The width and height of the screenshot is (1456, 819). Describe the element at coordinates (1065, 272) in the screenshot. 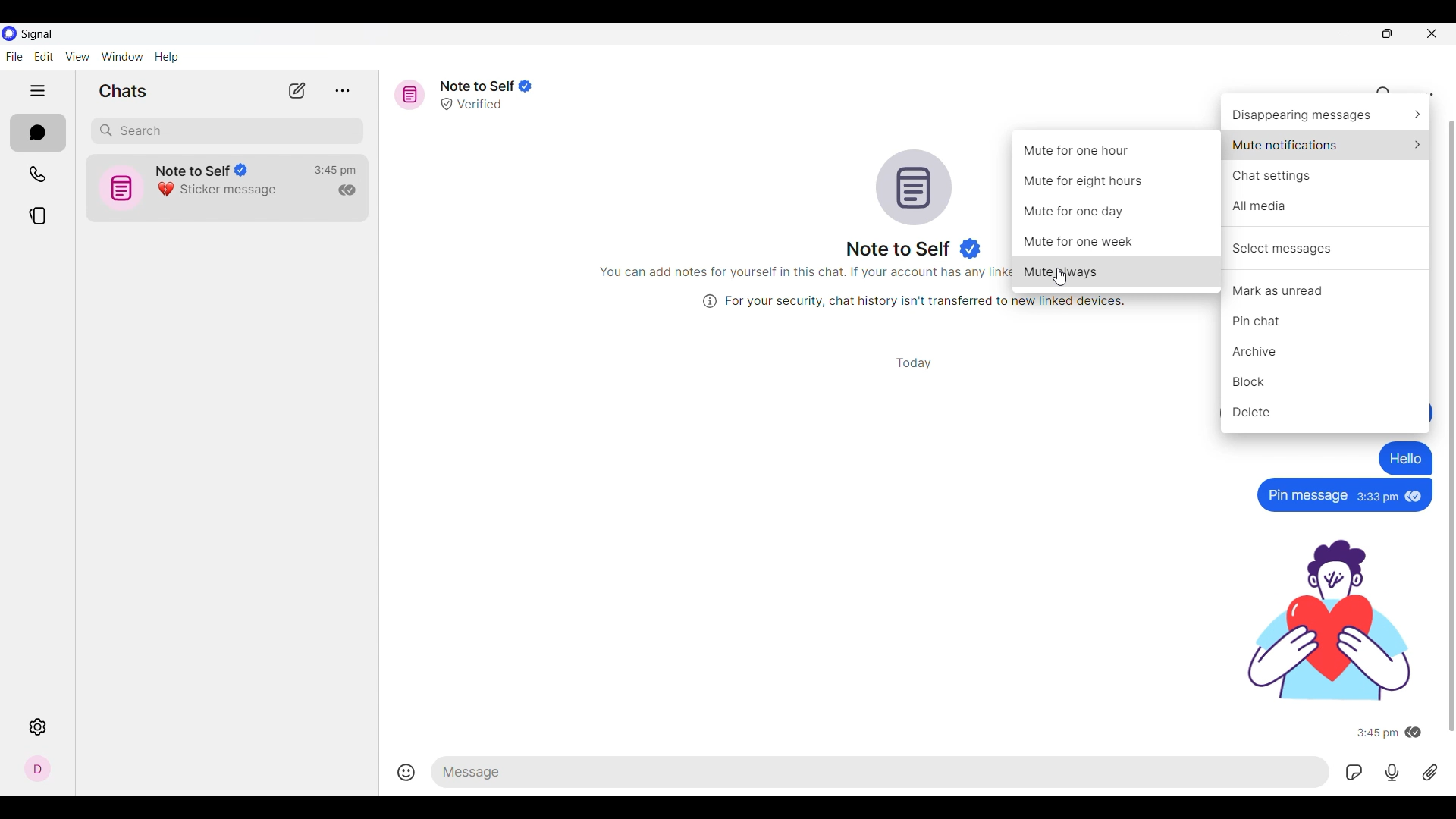

I see `Mute always` at that location.